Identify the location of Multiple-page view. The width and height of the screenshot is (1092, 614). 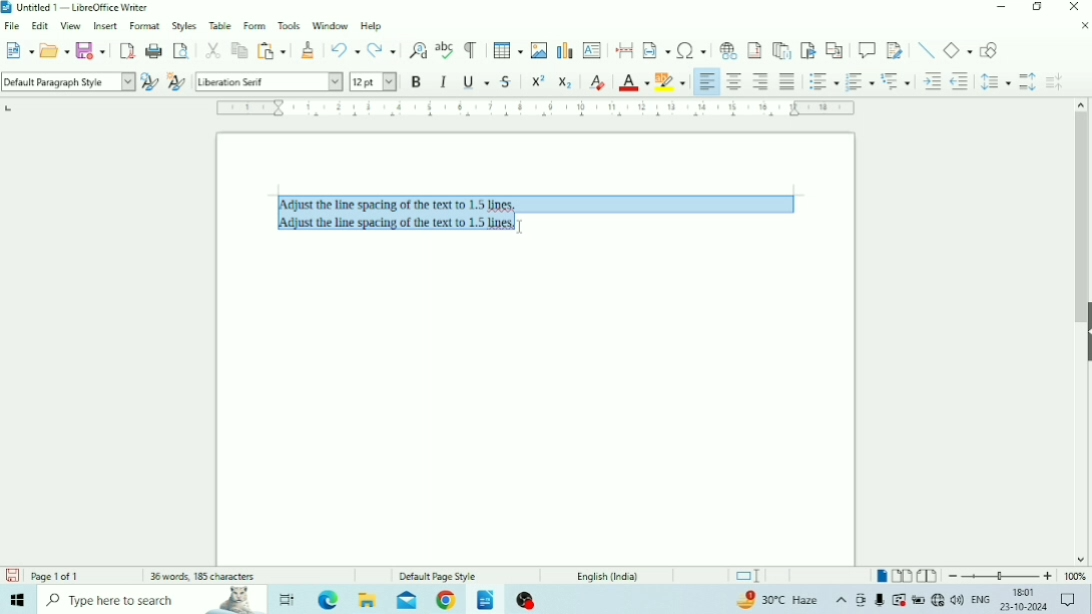
(902, 576).